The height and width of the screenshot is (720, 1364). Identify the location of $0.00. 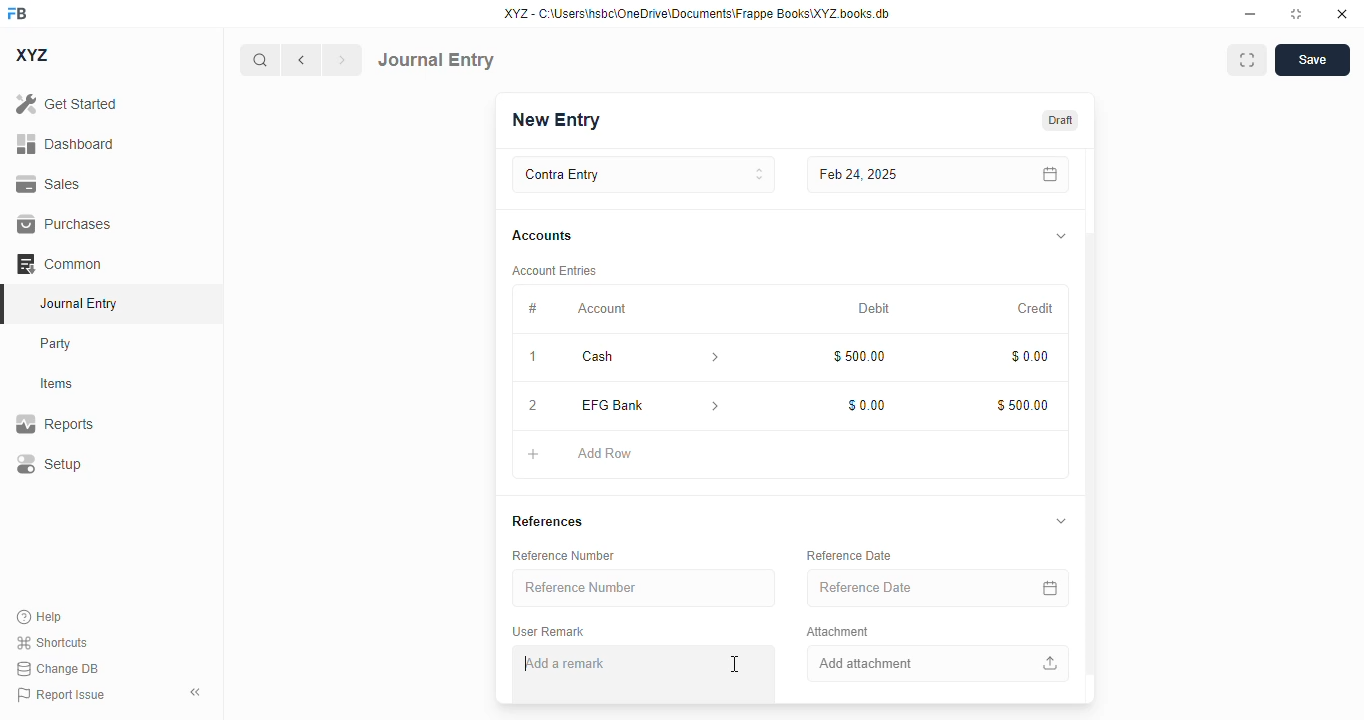
(1028, 354).